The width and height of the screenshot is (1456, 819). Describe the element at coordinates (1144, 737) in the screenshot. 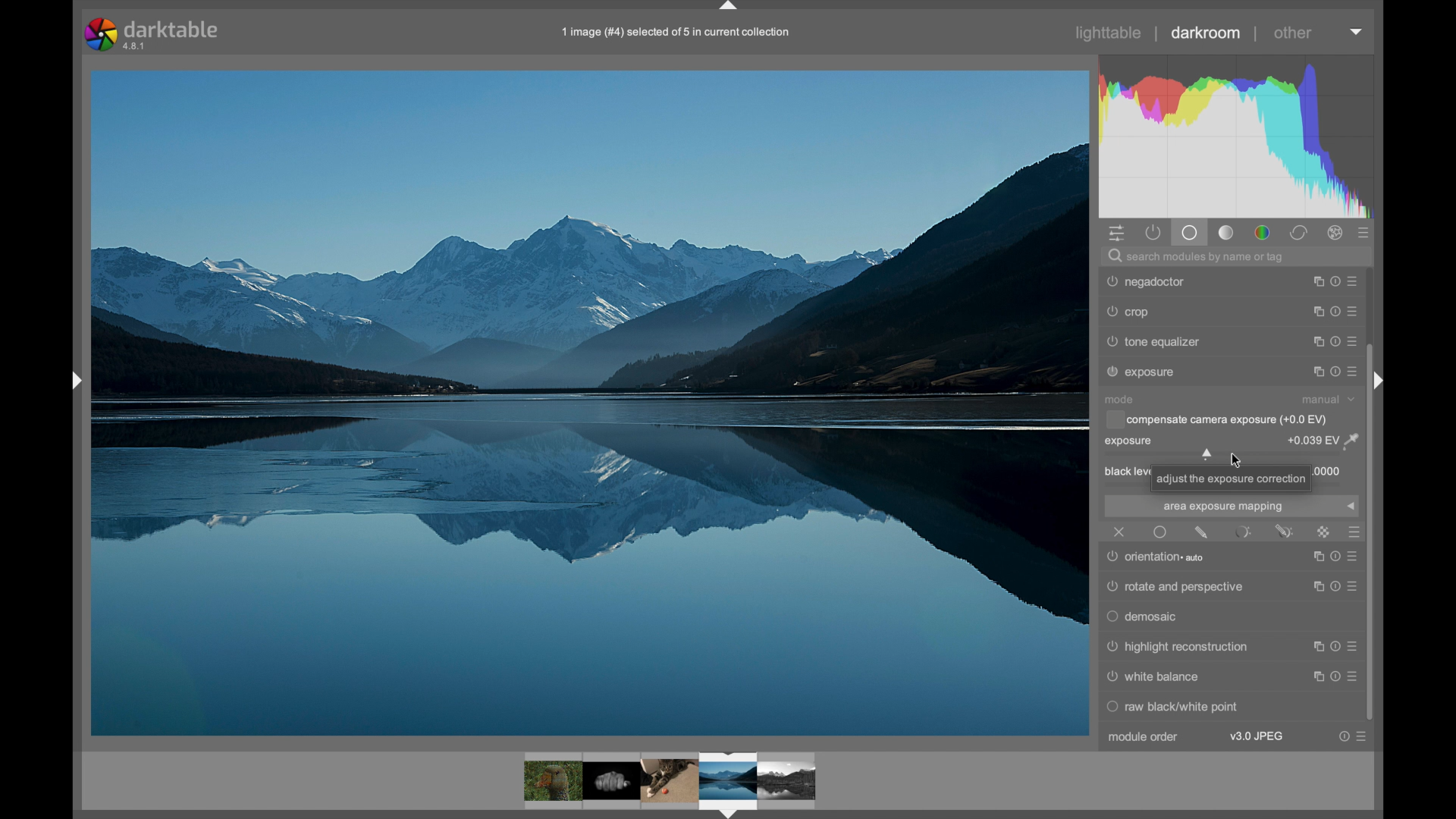

I see `module order` at that location.